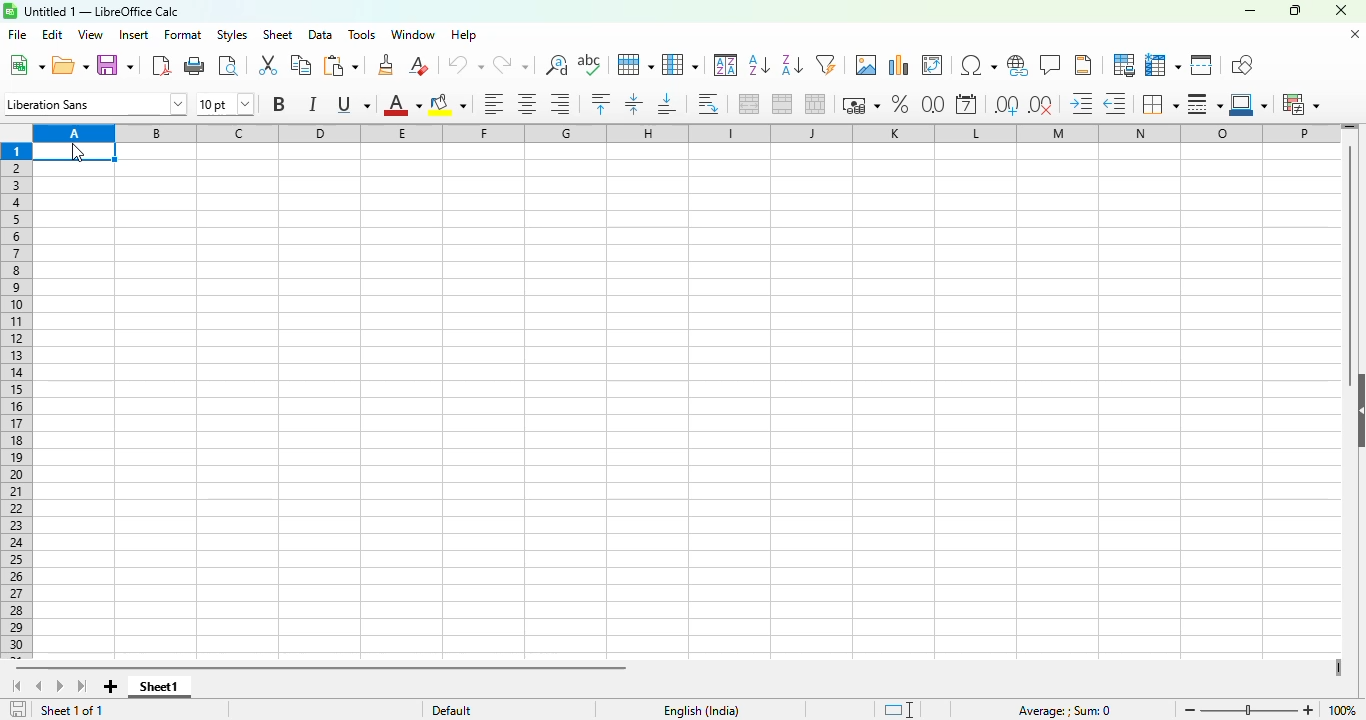 The height and width of the screenshot is (720, 1366). I want to click on styles, so click(232, 34).